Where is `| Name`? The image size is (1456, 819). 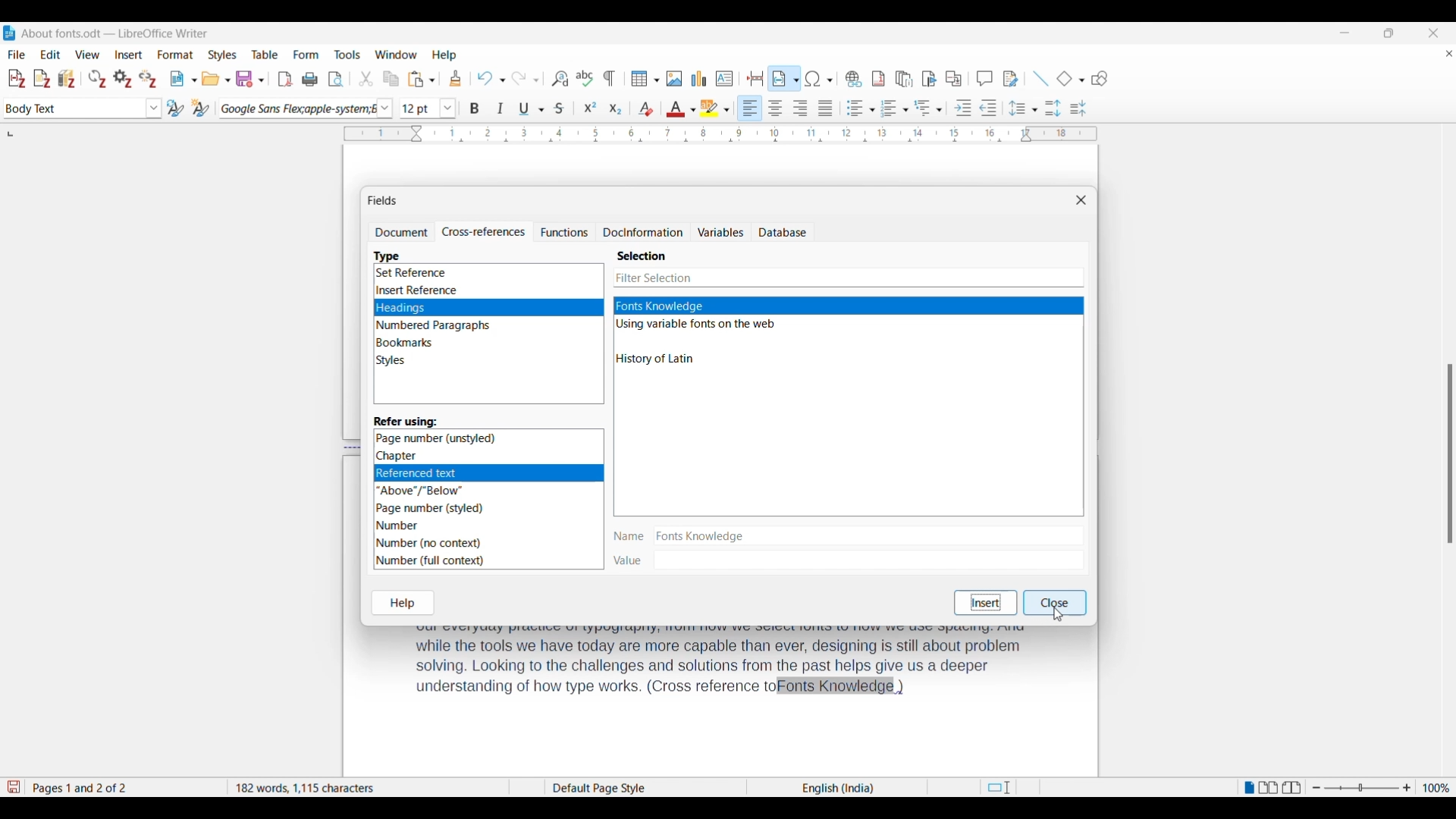 | Name is located at coordinates (627, 537).